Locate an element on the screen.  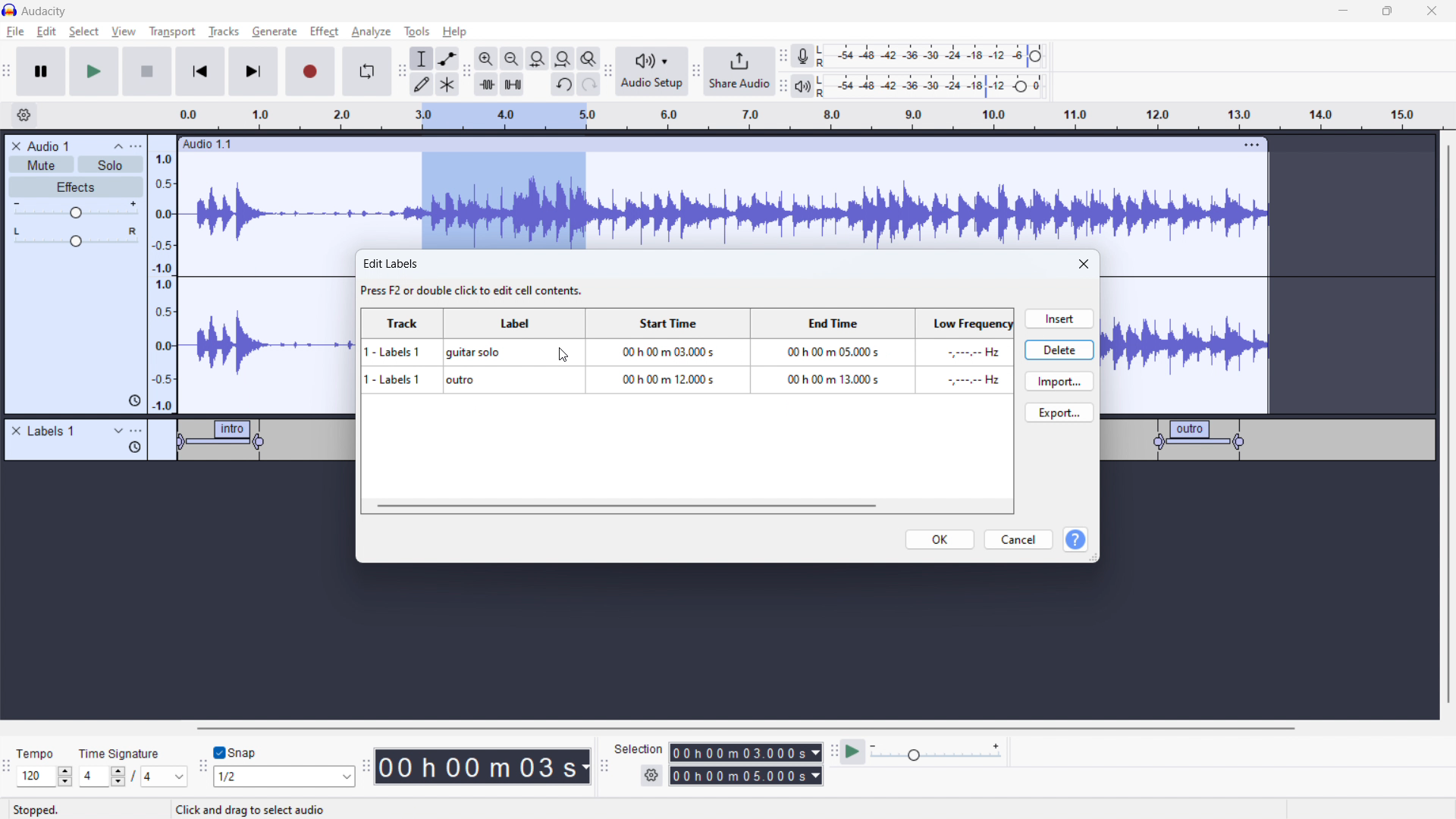
selection end time is located at coordinates (747, 776).